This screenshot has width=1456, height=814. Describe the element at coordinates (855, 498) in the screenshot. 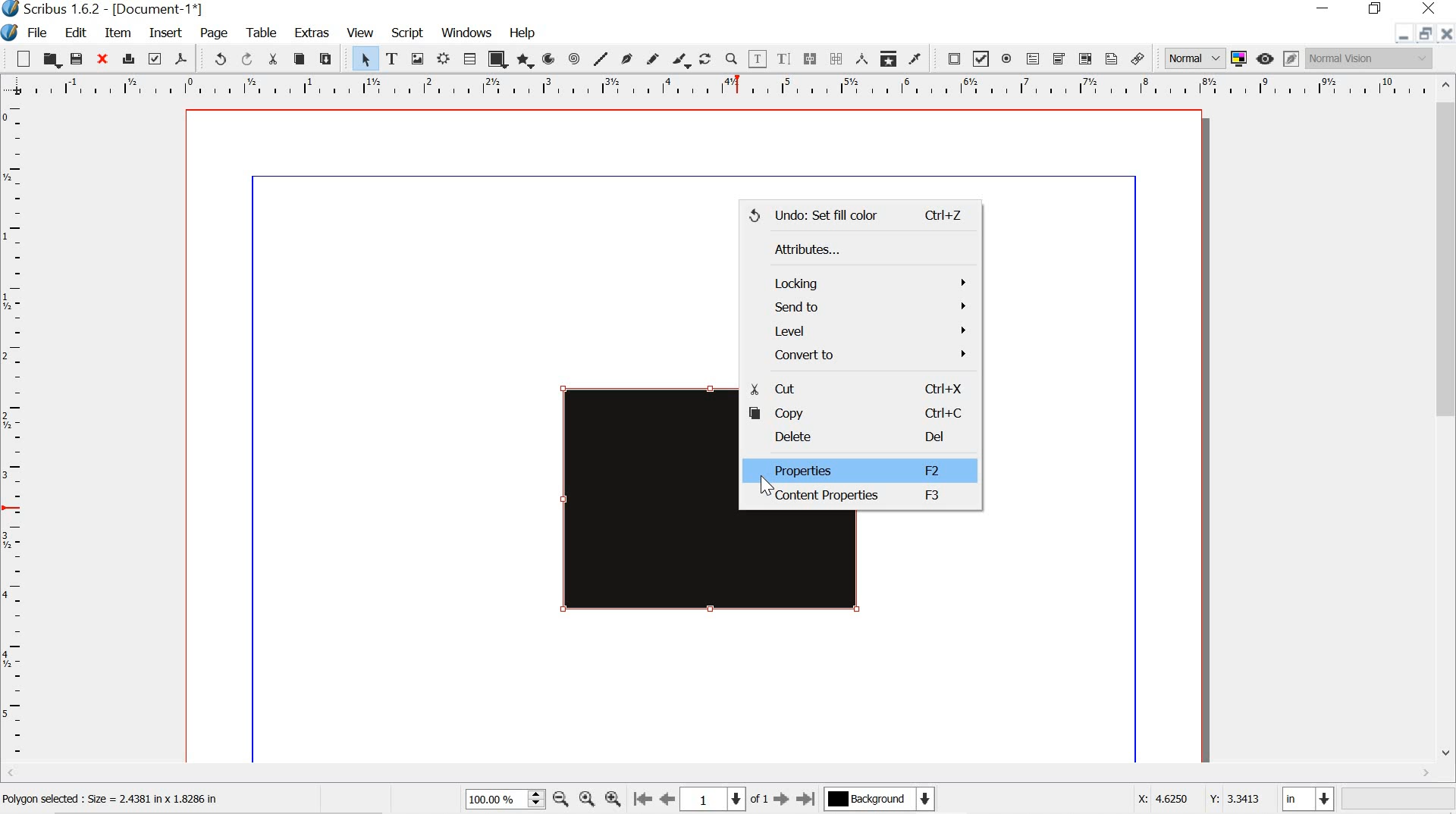

I see `content properties` at that location.